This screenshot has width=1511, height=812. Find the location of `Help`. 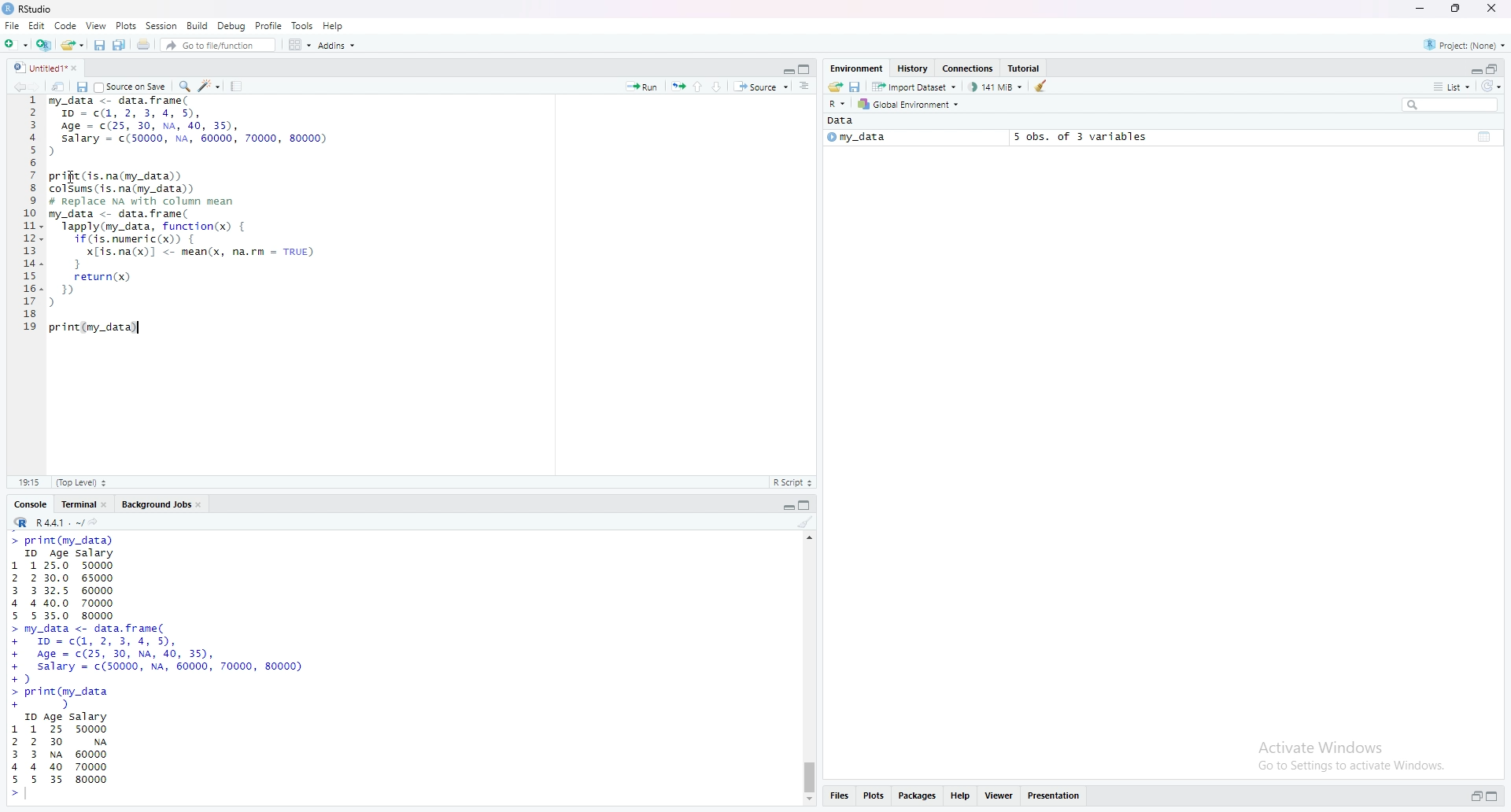

Help is located at coordinates (334, 25).